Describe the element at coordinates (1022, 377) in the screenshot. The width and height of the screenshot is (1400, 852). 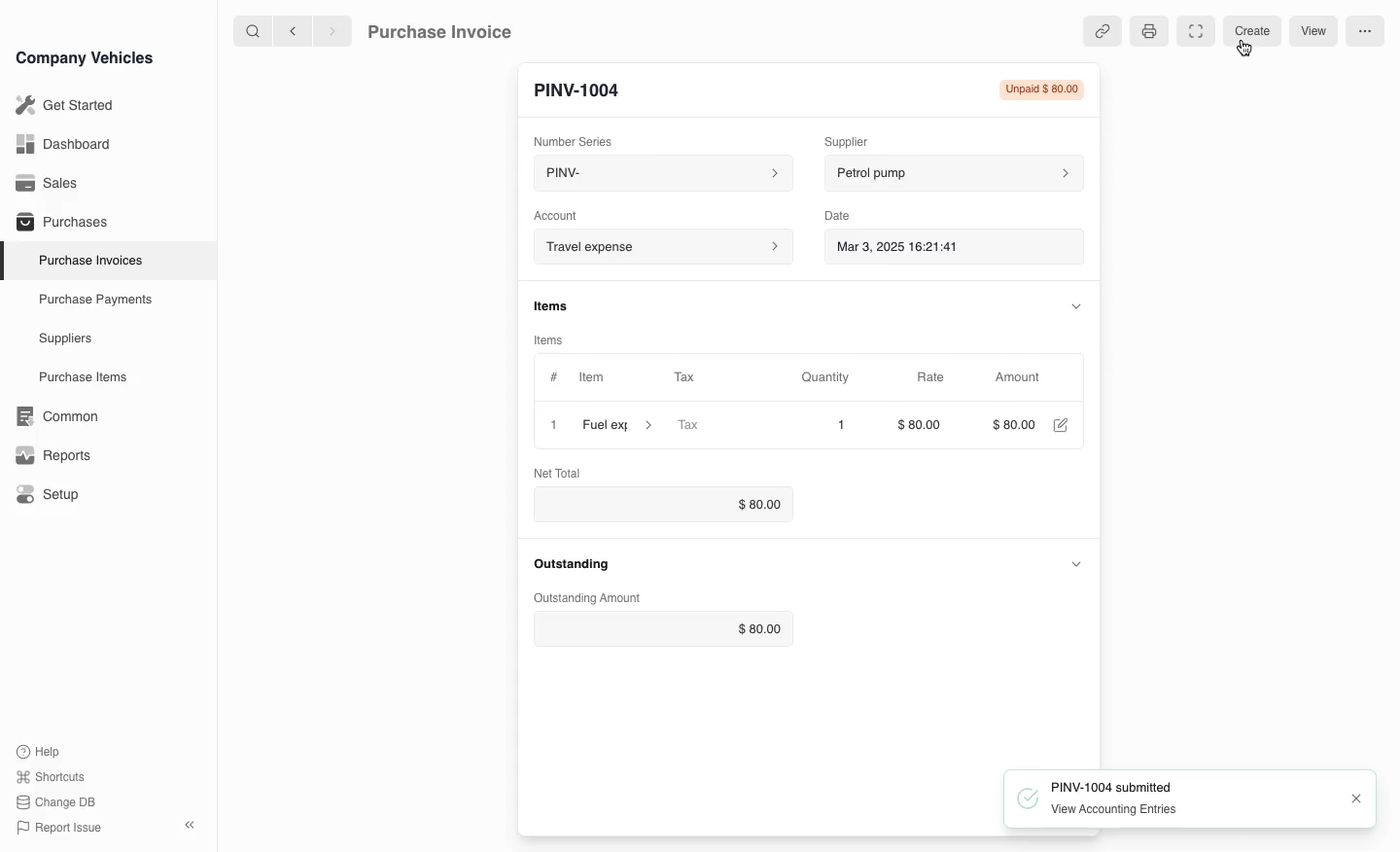
I see `Amount` at that location.